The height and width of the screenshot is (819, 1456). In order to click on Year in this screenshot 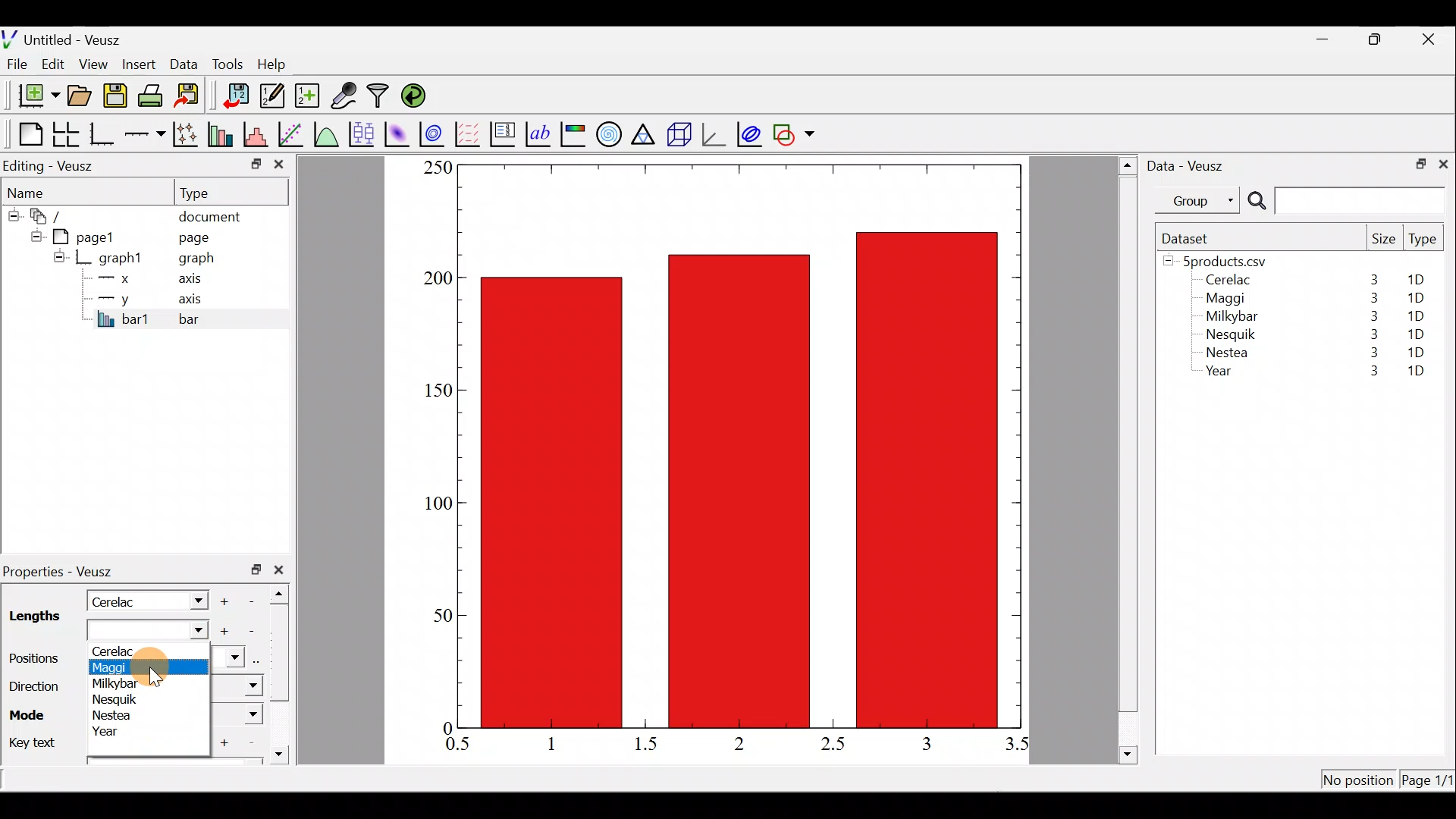, I will do `click(1222, 375)`.